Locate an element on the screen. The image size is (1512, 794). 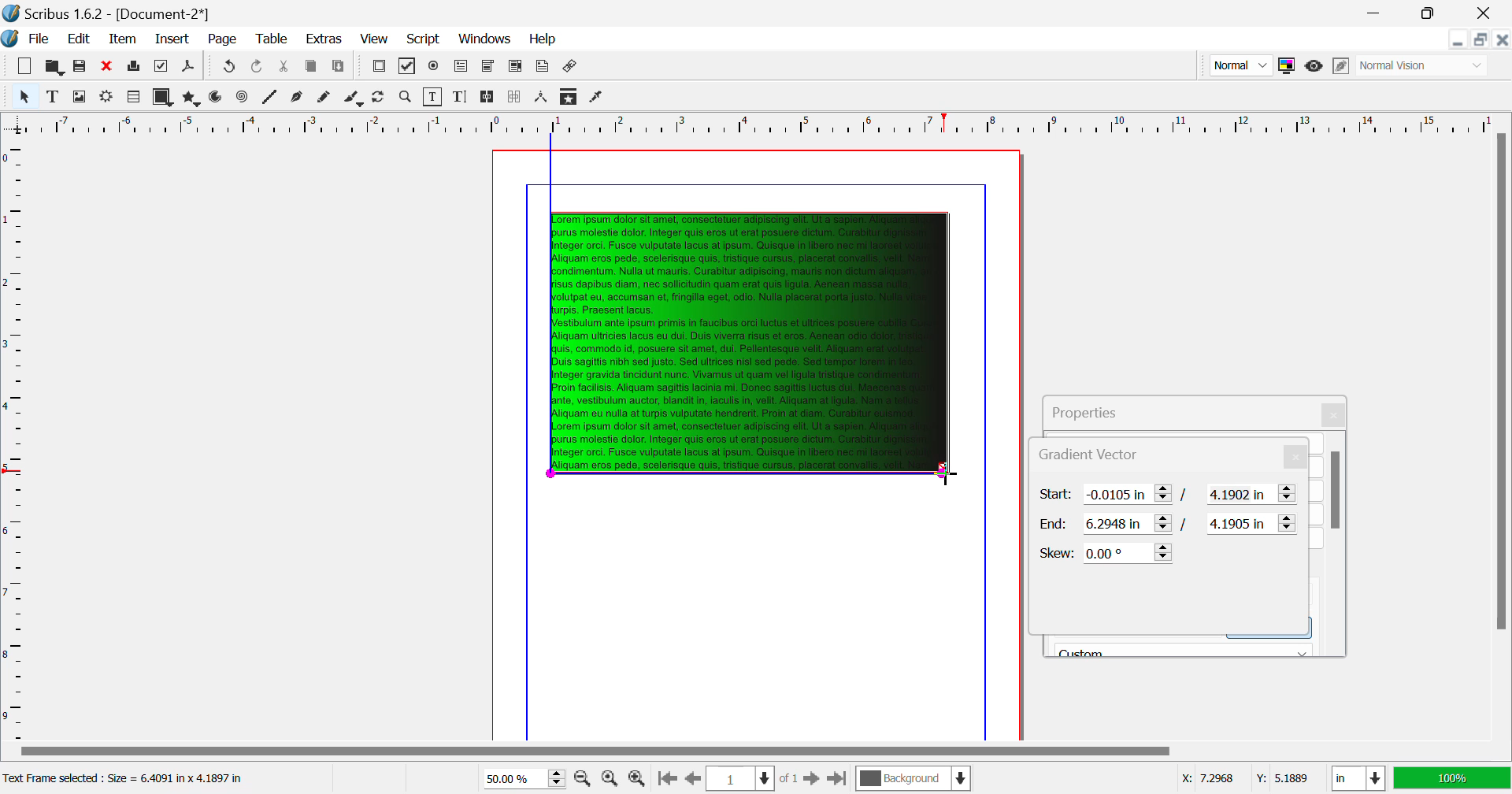
Insert is located at coordinates (173, 40).